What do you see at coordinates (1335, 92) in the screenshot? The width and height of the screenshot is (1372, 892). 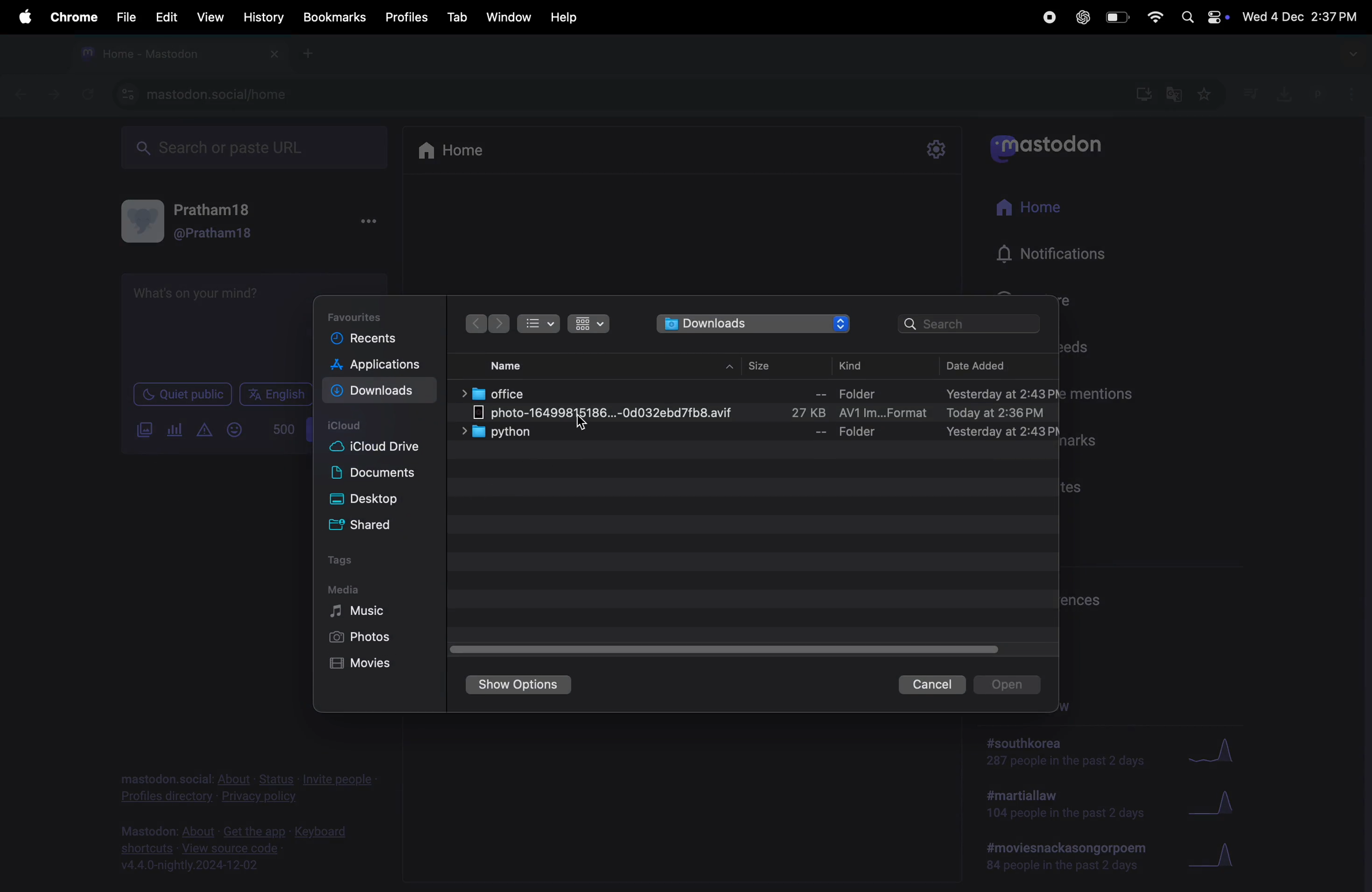 I see `chrome profiles` at bounding box center [1335, 92].